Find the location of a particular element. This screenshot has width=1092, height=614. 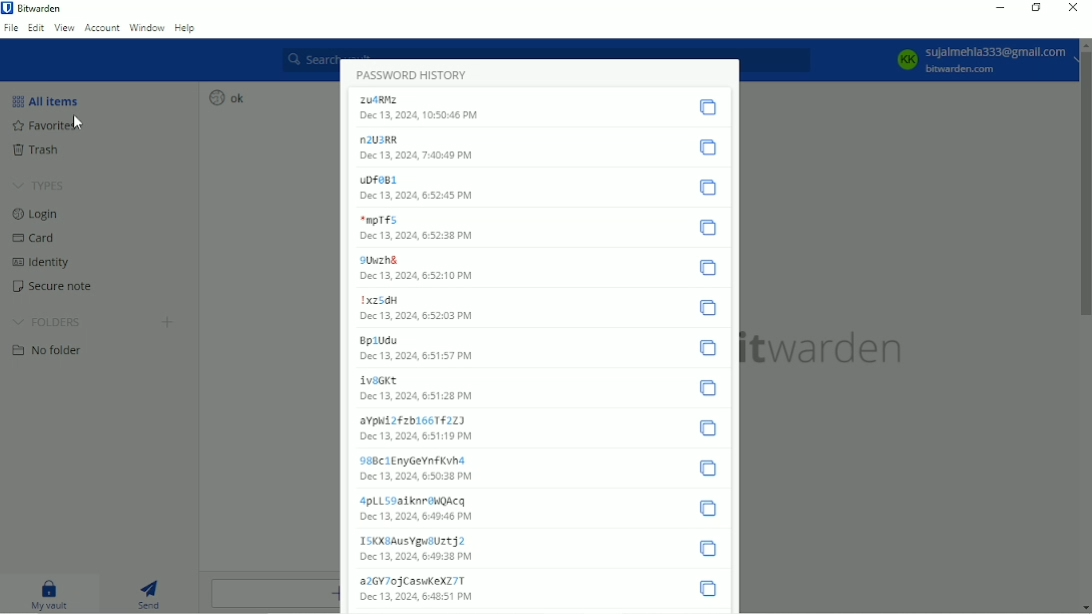

Restore down is located at coordinates (1038, 9).